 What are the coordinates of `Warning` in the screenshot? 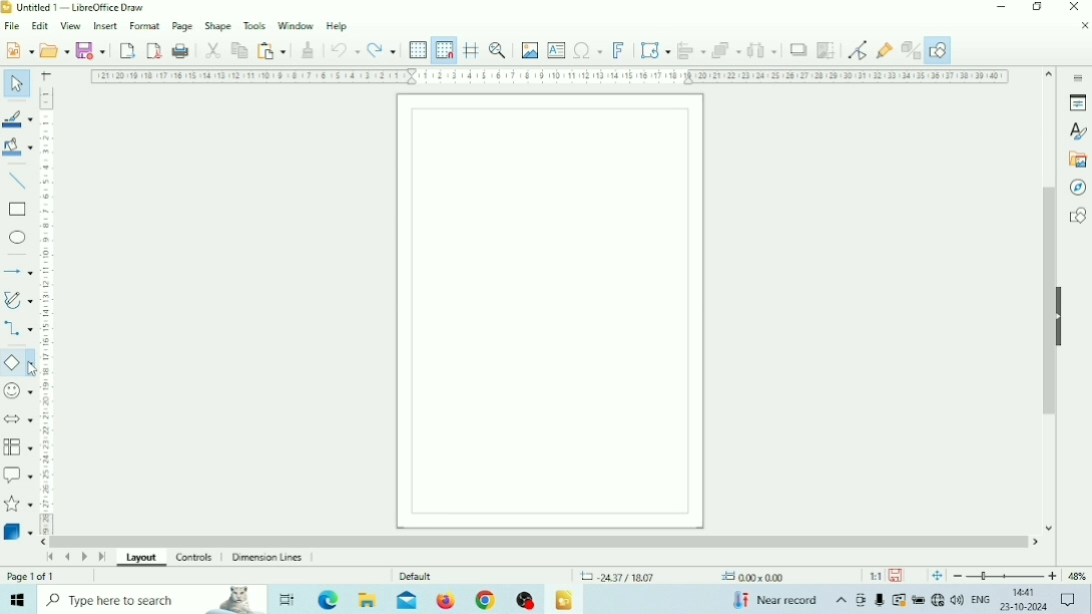 It's located at (2586, 1724).